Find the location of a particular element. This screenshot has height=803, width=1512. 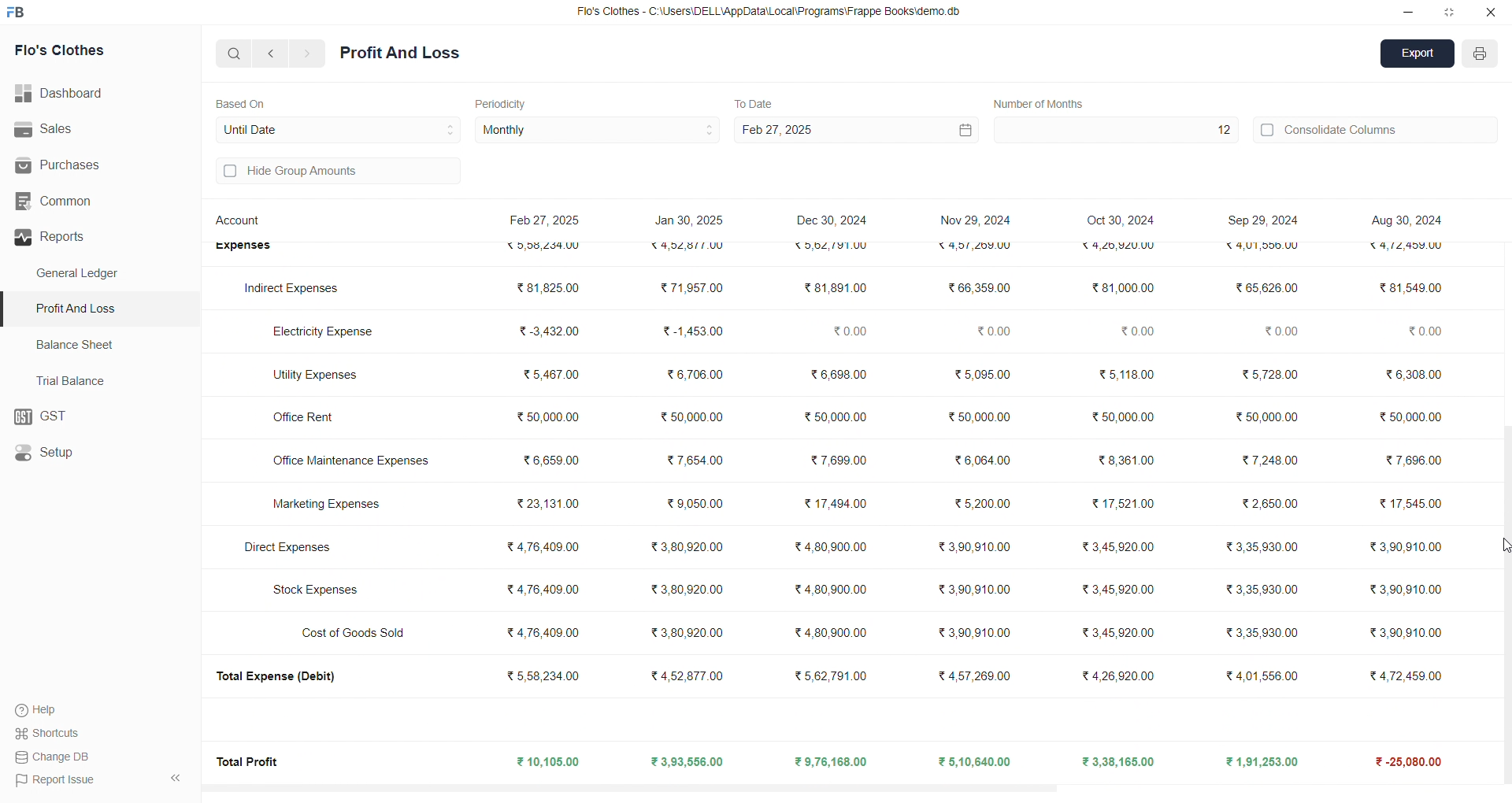

₹7,248.00 is located at coordinates (1275, 460).